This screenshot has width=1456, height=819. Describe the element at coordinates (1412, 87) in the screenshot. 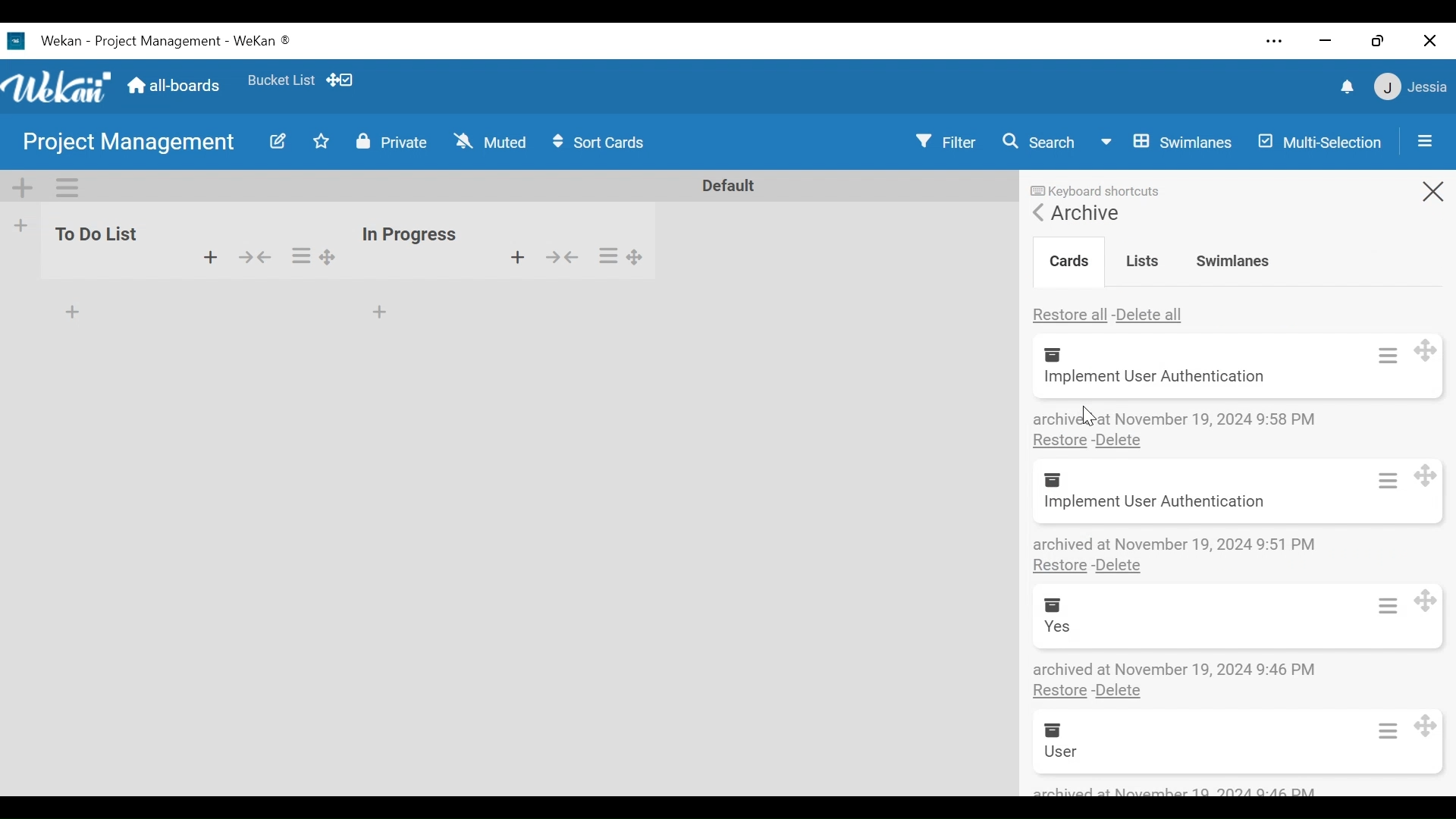

I see `Member Settings` at that location.